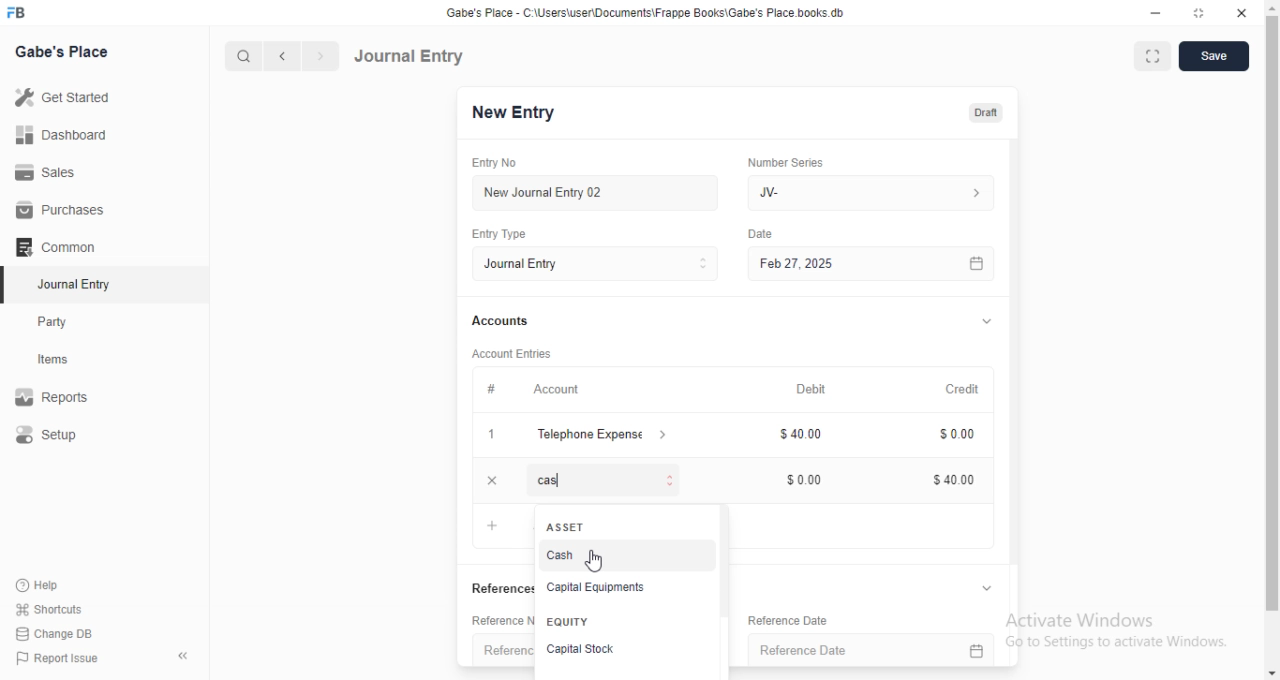  What do you see at coordinates (803, 435) in the screenshot?
I see `40.00` at bounding box center [803, 435].